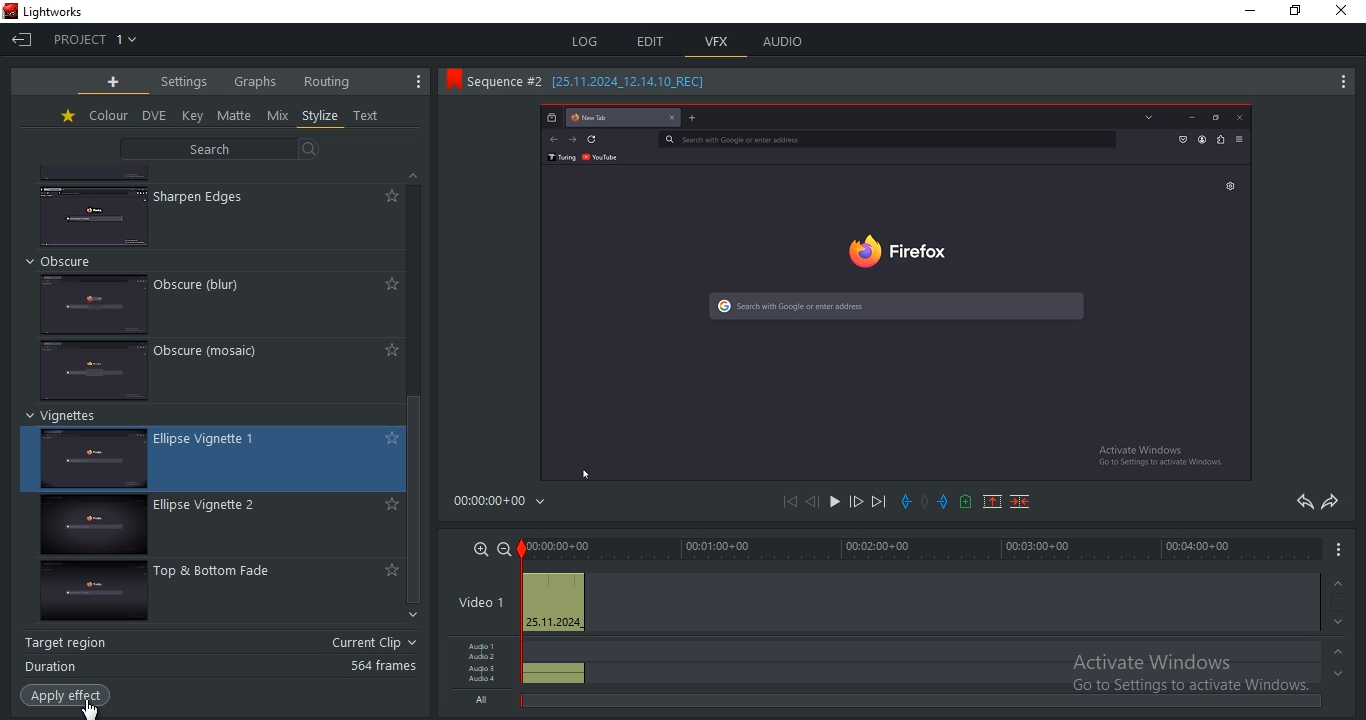 This screenshot has width=1366, height=720. I want to click on edit, so click(653, 42).